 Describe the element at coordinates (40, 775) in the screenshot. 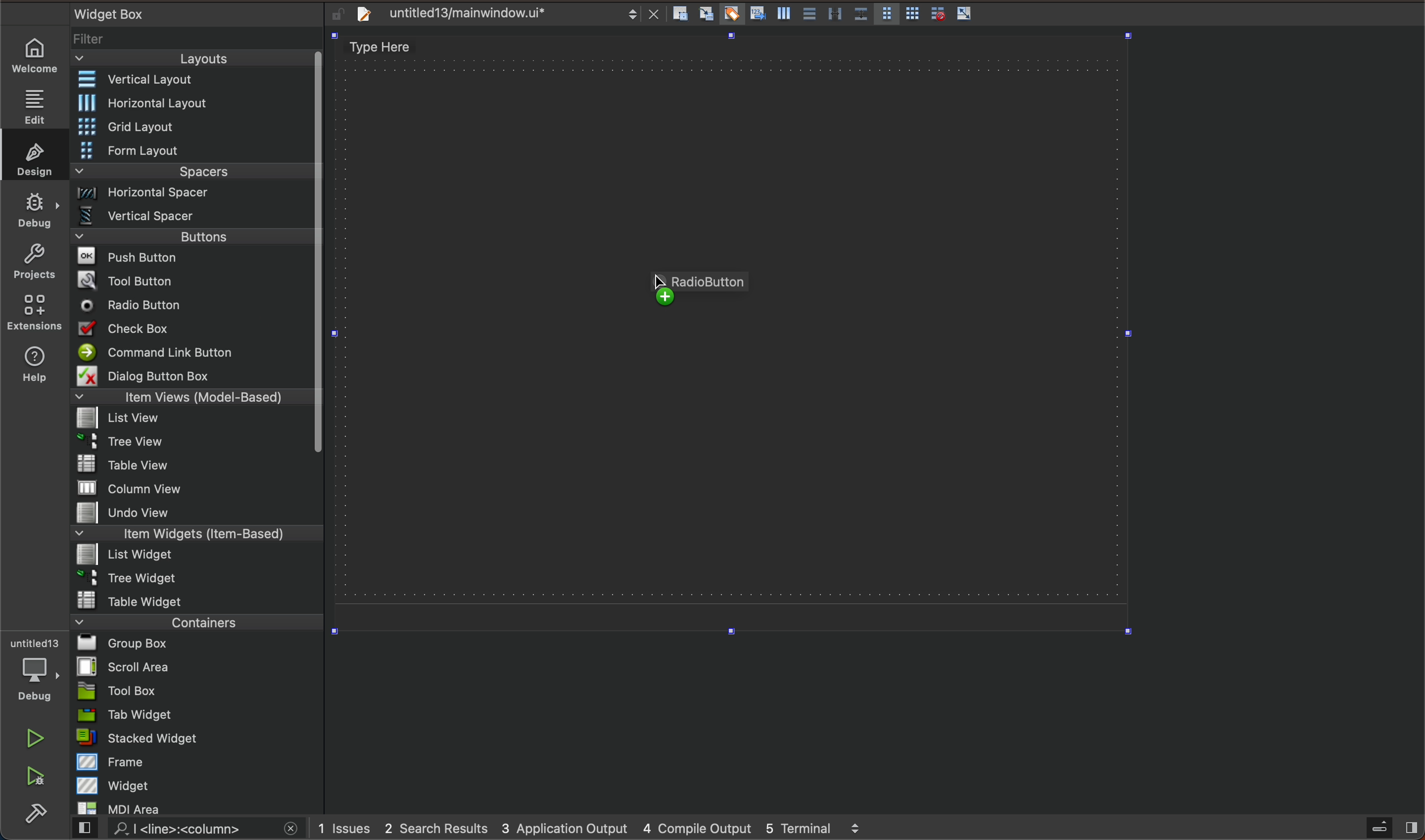

I see `run and debug` at that location.